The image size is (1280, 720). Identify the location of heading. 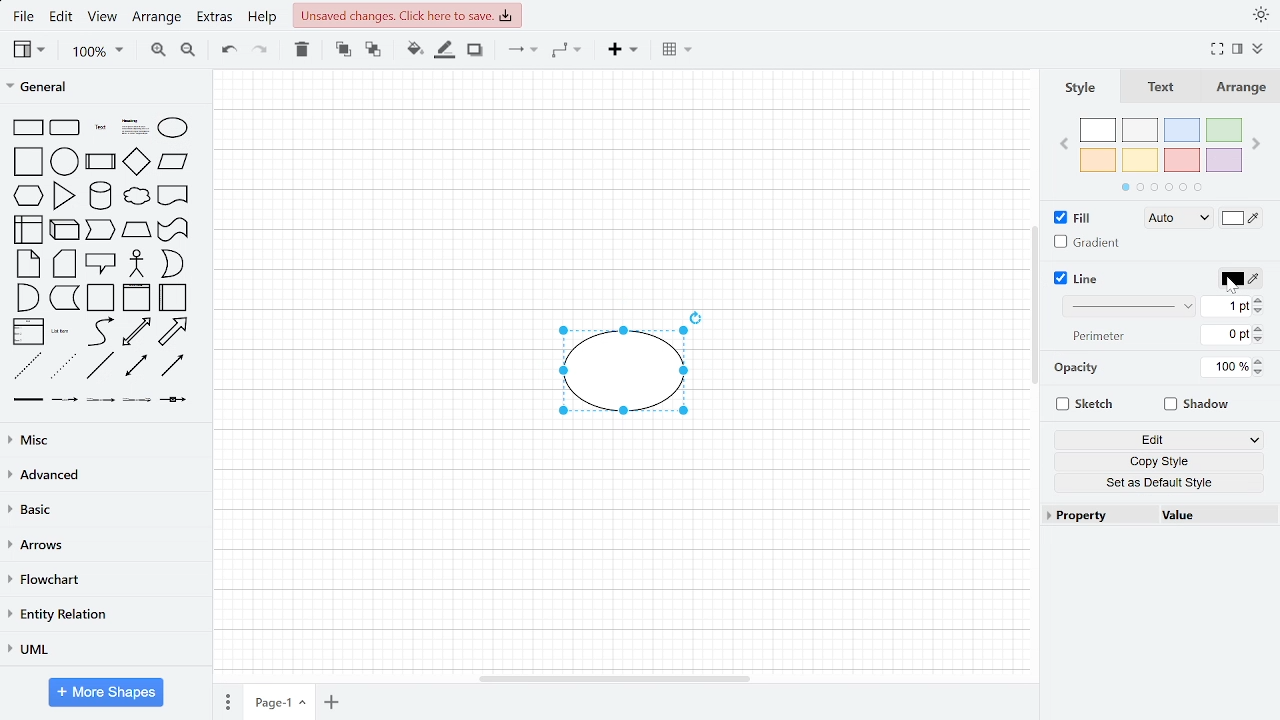
(132, 129).